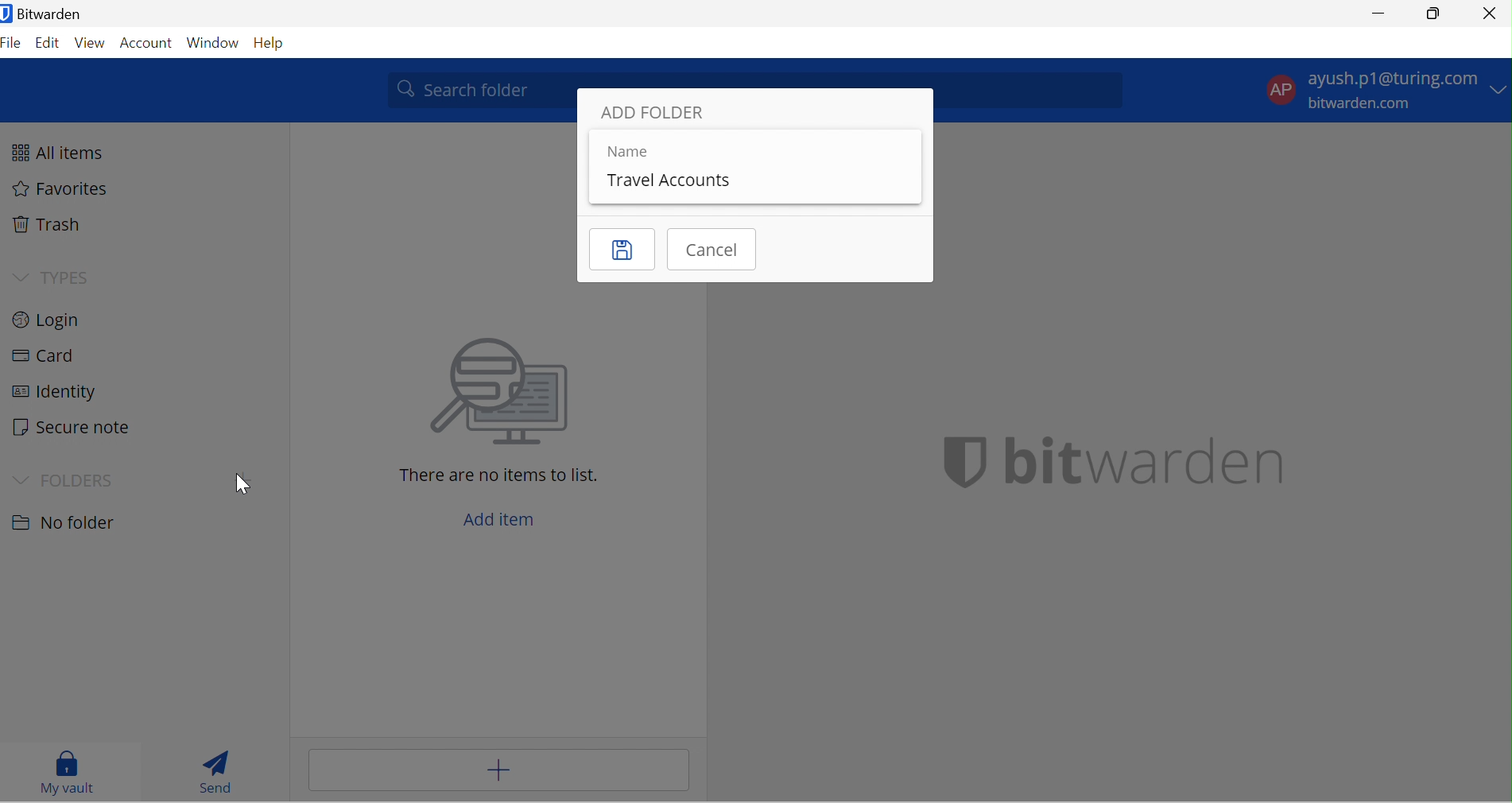 The height and width of the screenshot is (803, 1512). I want to click on ADD FOLDER, so click(657, 111).